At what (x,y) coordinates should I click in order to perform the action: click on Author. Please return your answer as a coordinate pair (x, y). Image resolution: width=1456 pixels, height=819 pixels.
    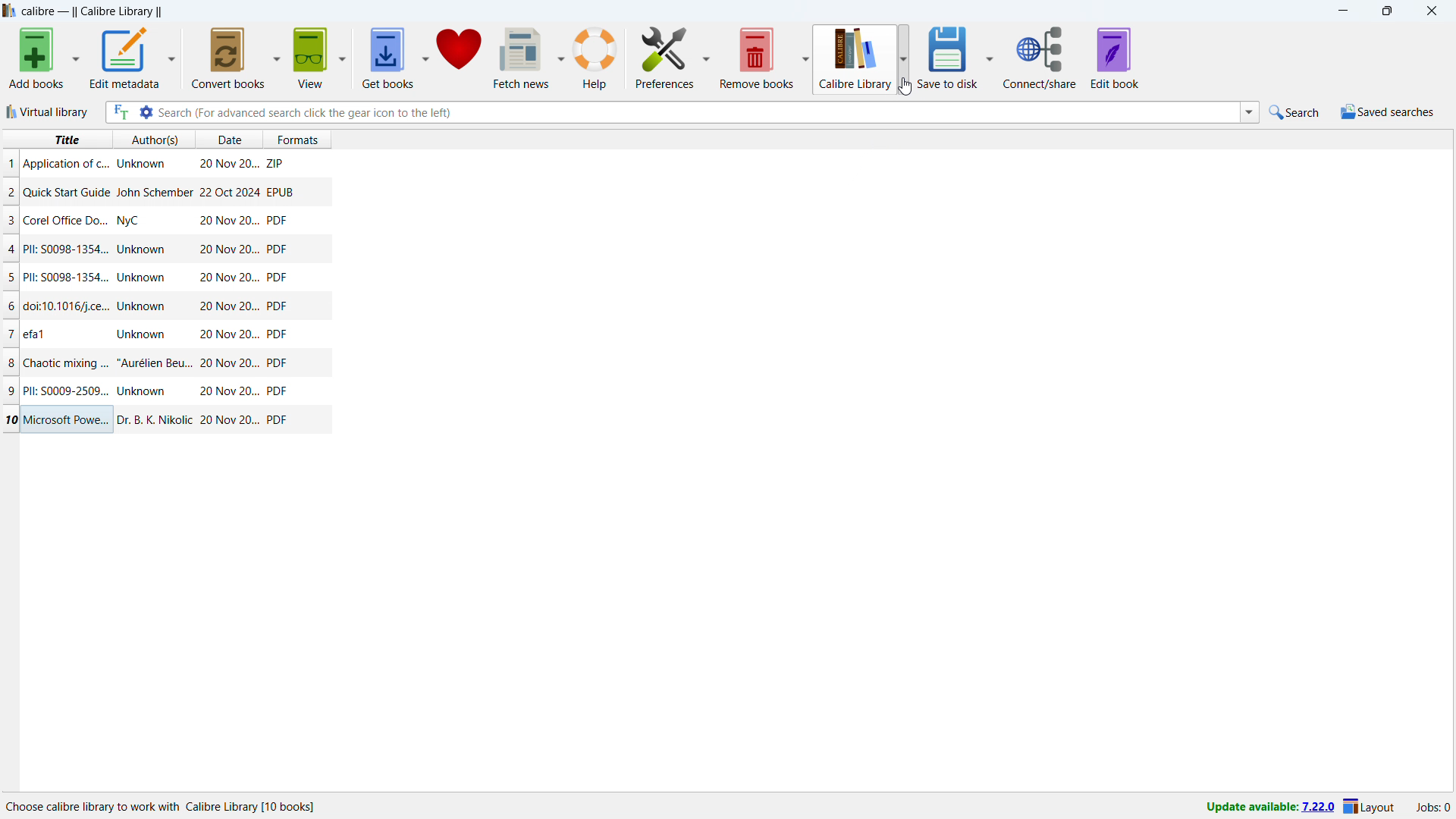
    Looking at the image, I should click on (143, 250).